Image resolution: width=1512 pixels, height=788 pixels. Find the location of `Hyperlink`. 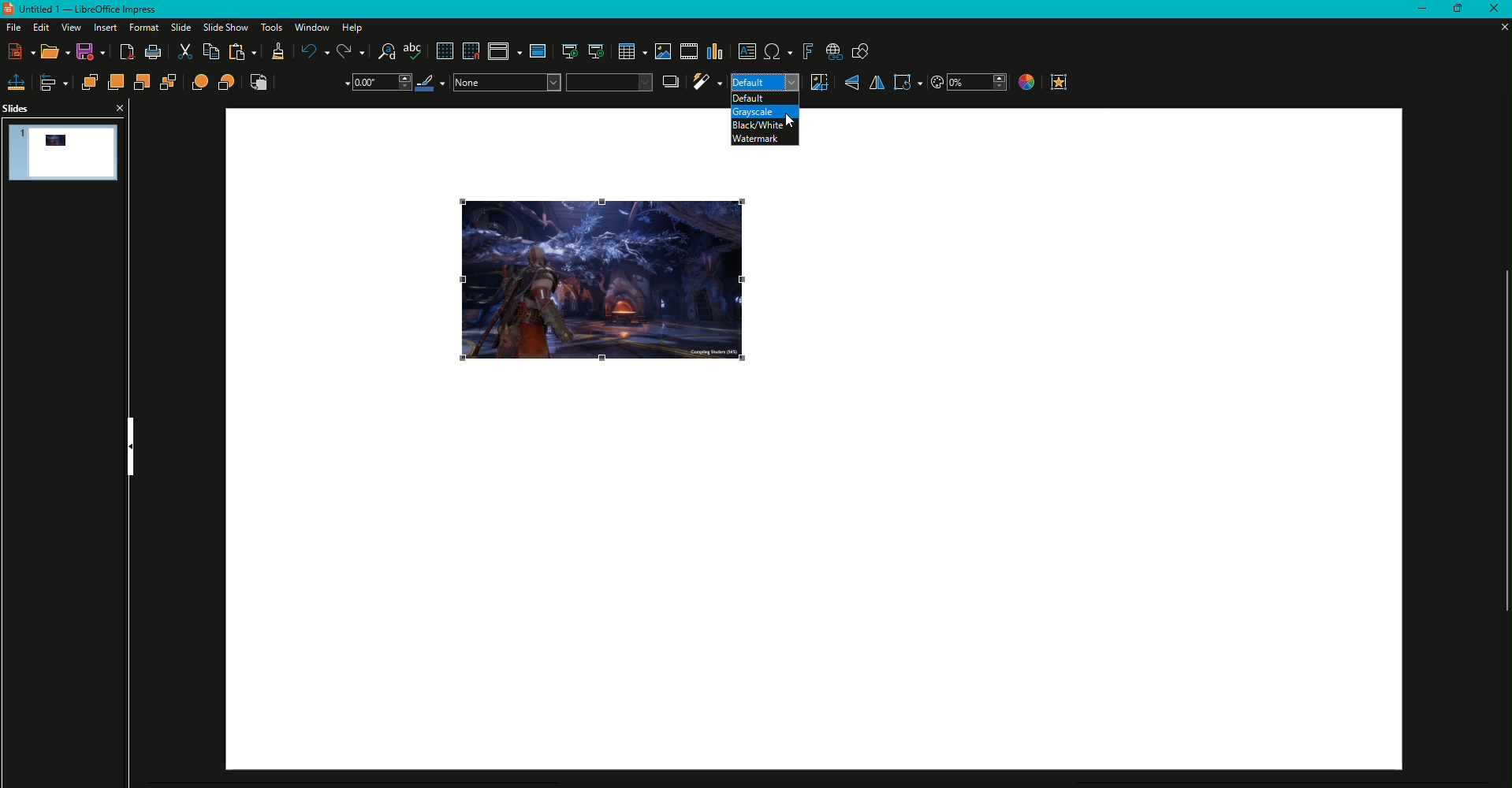

Hyperlink is located at coordinates (834, 53).